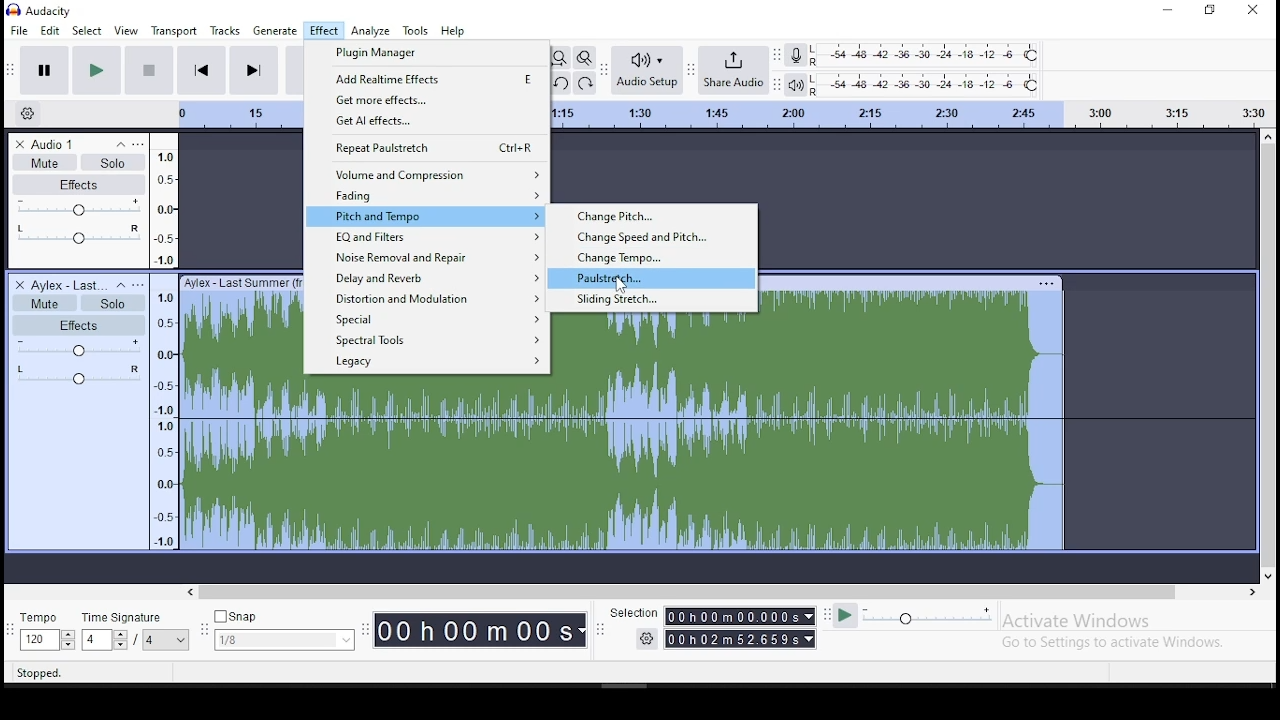 Image resolution: width=1280 pixels, height=720 pixels. I want to click on pitch and tempo, so click(427, 216).